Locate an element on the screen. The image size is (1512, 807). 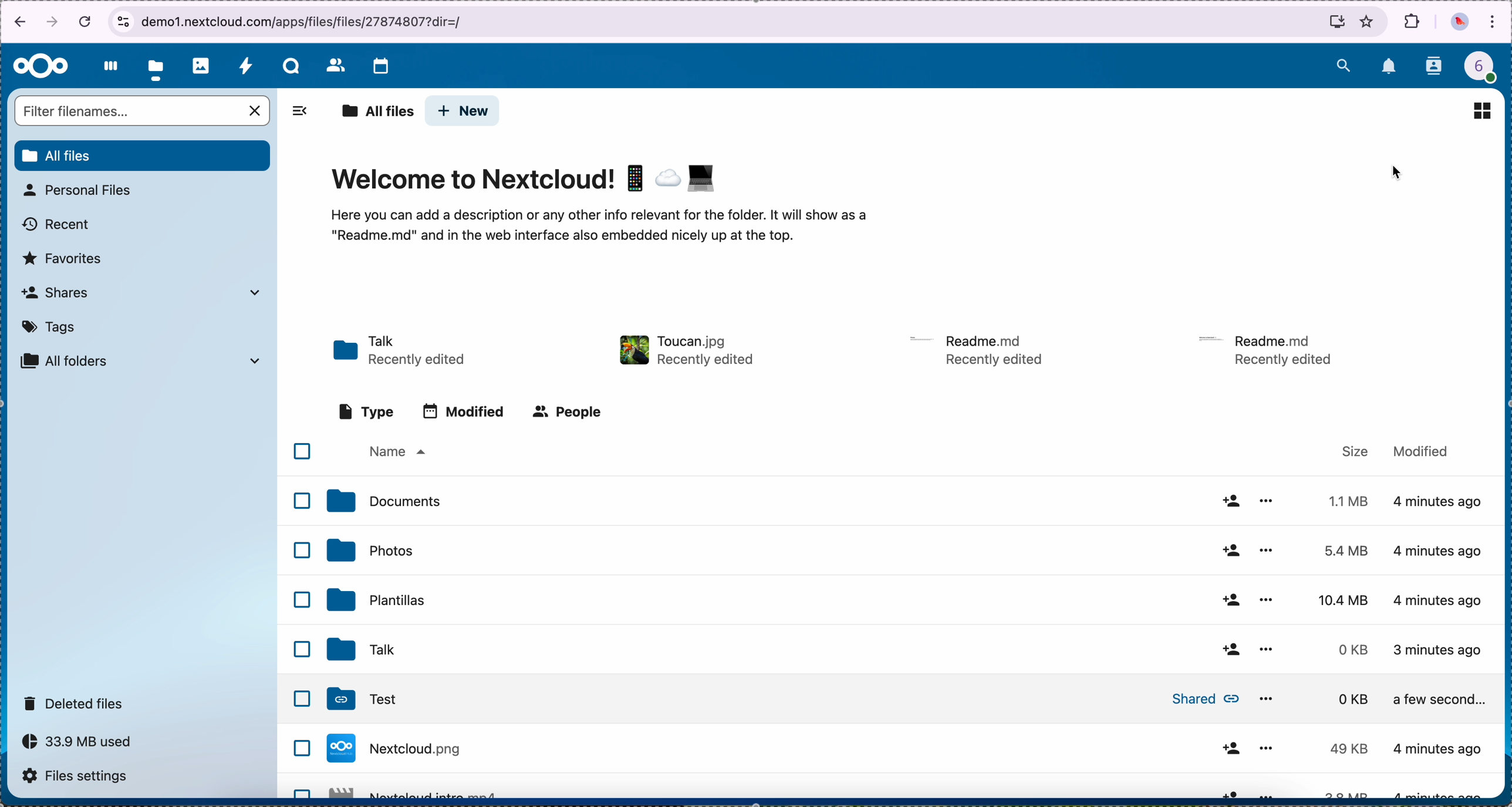
share is located at coordinates (1227, 792).